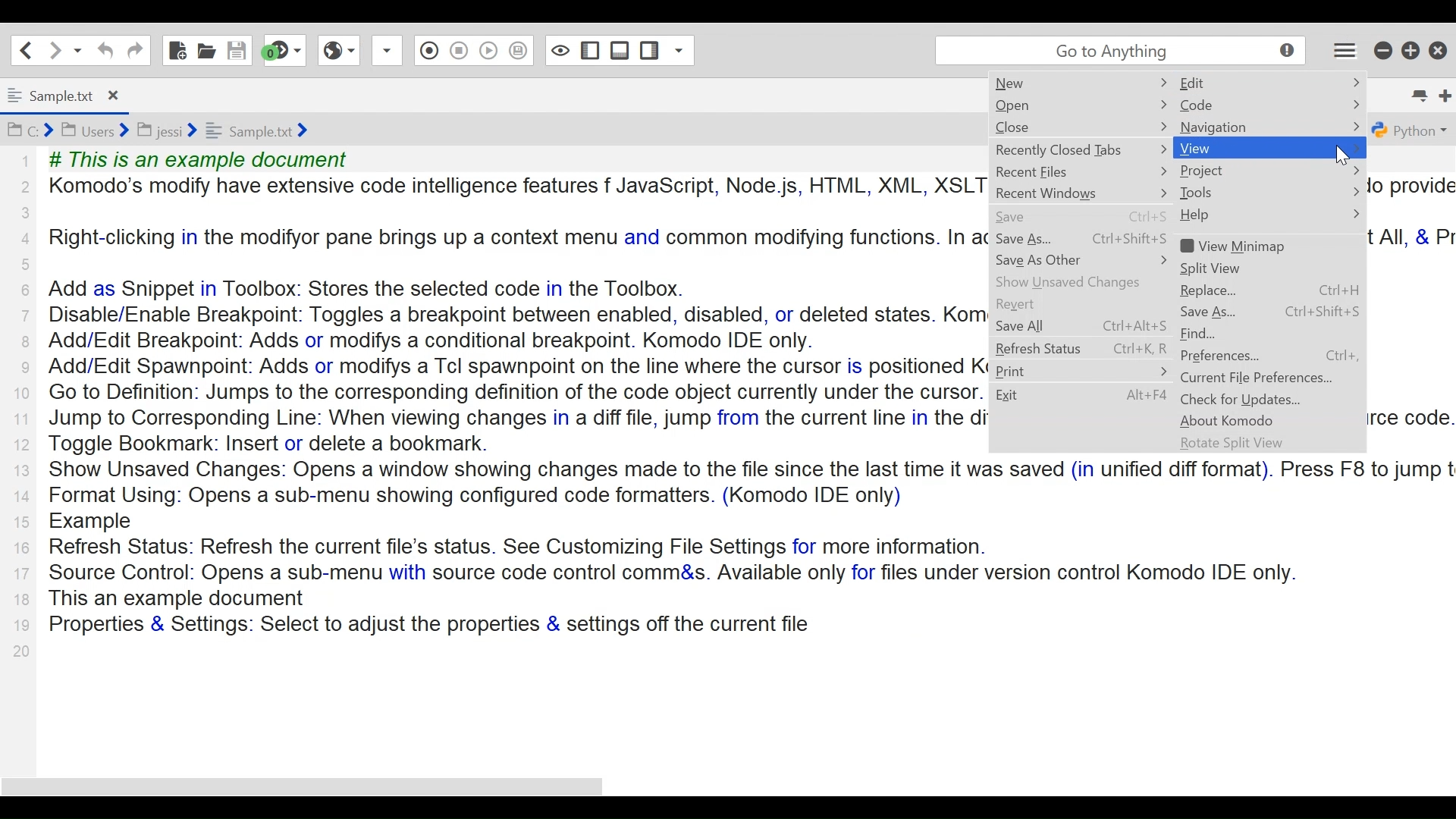 This screenshot has height=819, width=1456. I want to click on Exit Alt+F4, so click(1081, 397).